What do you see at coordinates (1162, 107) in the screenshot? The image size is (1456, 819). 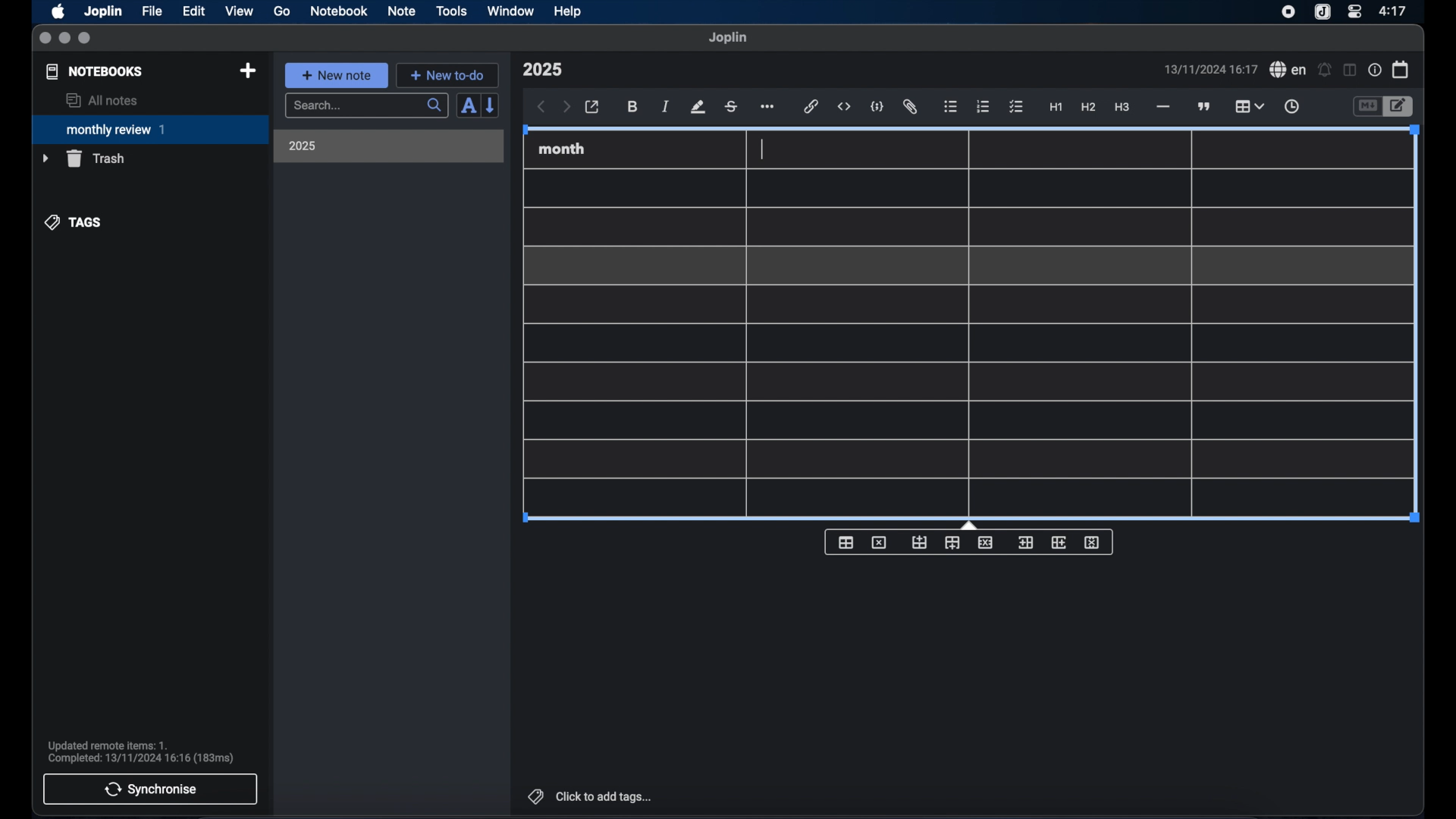 I see `horizontal rule` at bounding box center [1162, 107].